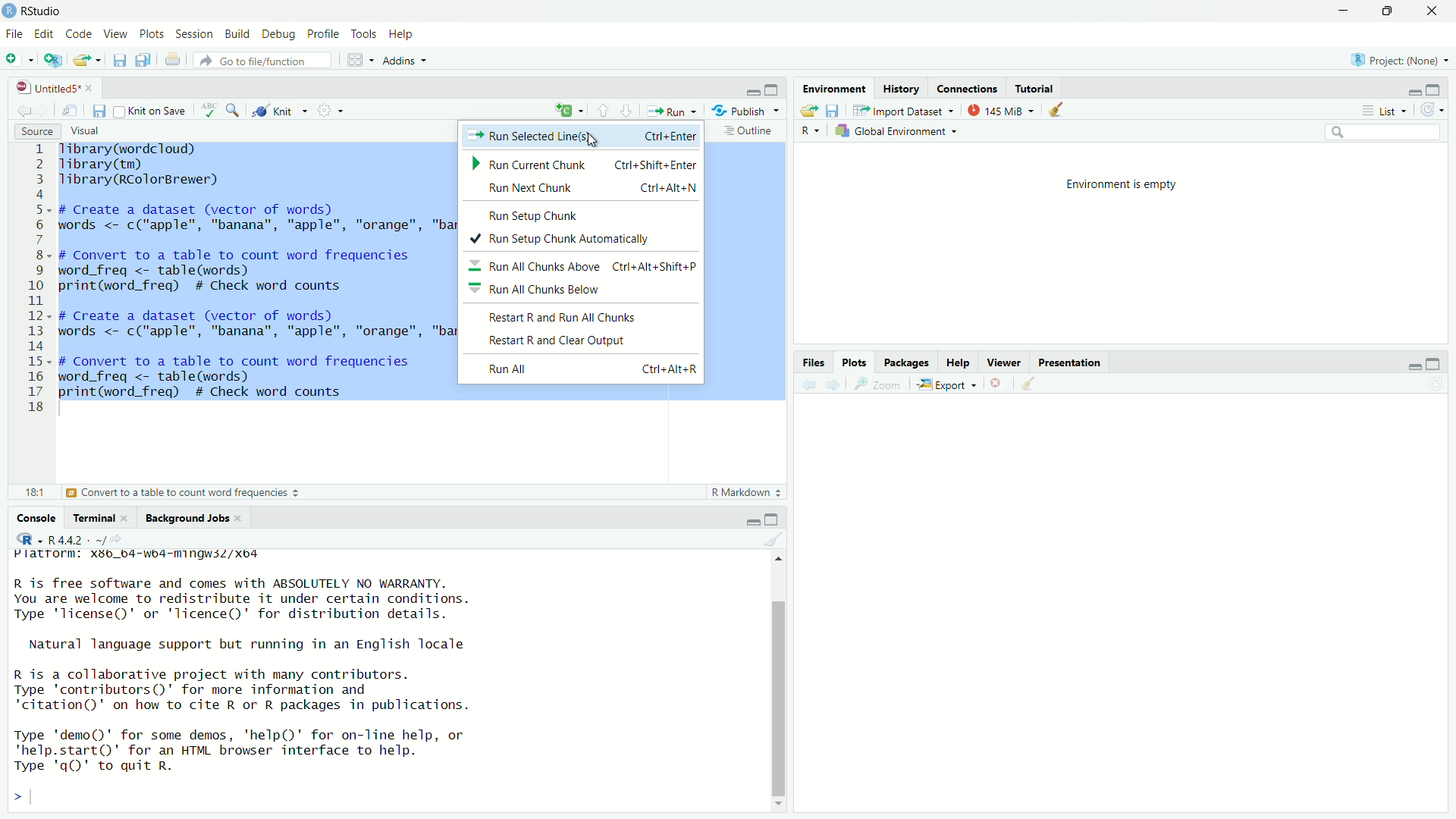  Describe the element at coordinates (906, 360) in the screenshot. I see `Packages` at that location.